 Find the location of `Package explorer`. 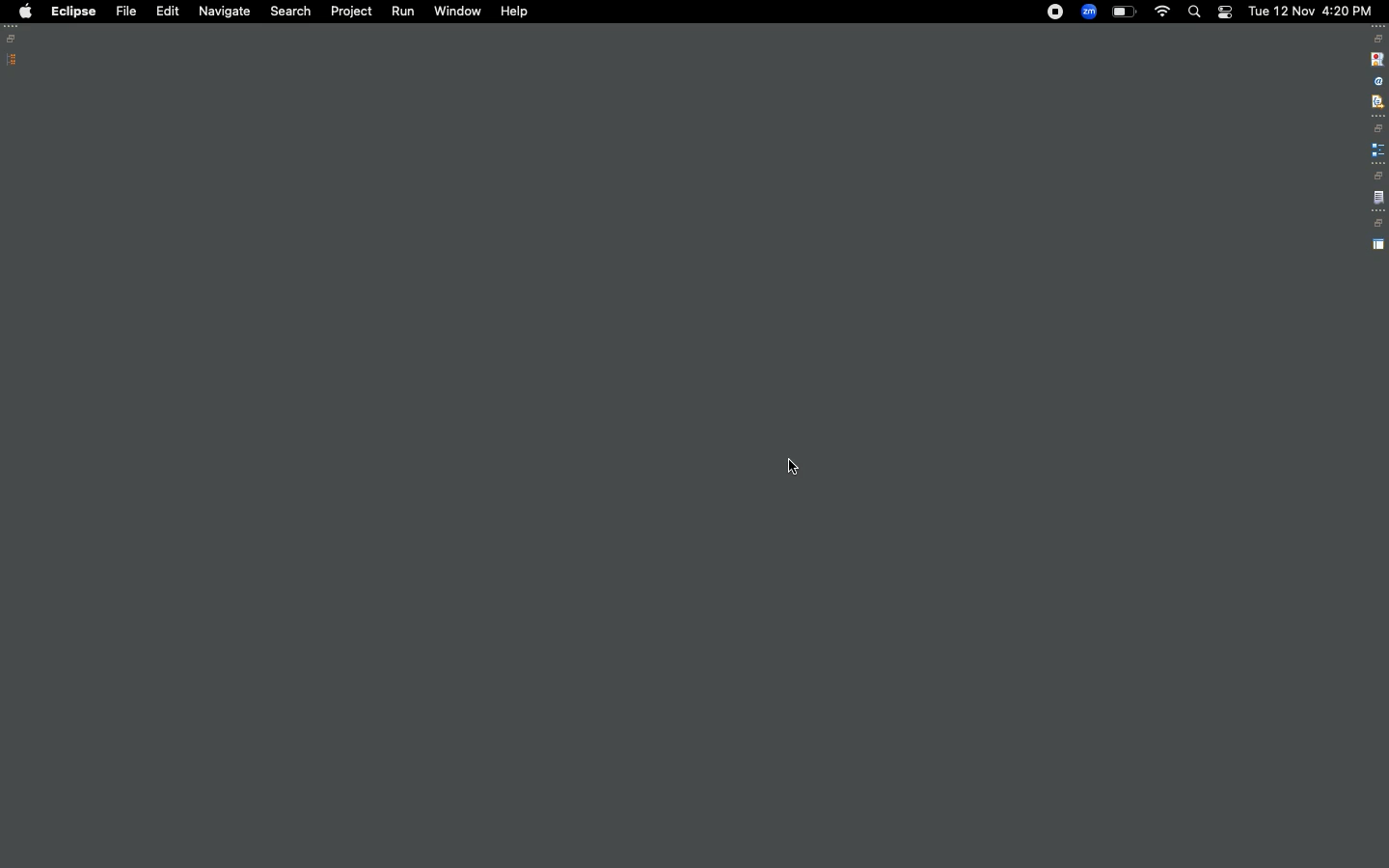

Package explorer is located at coordinates (13, 60).